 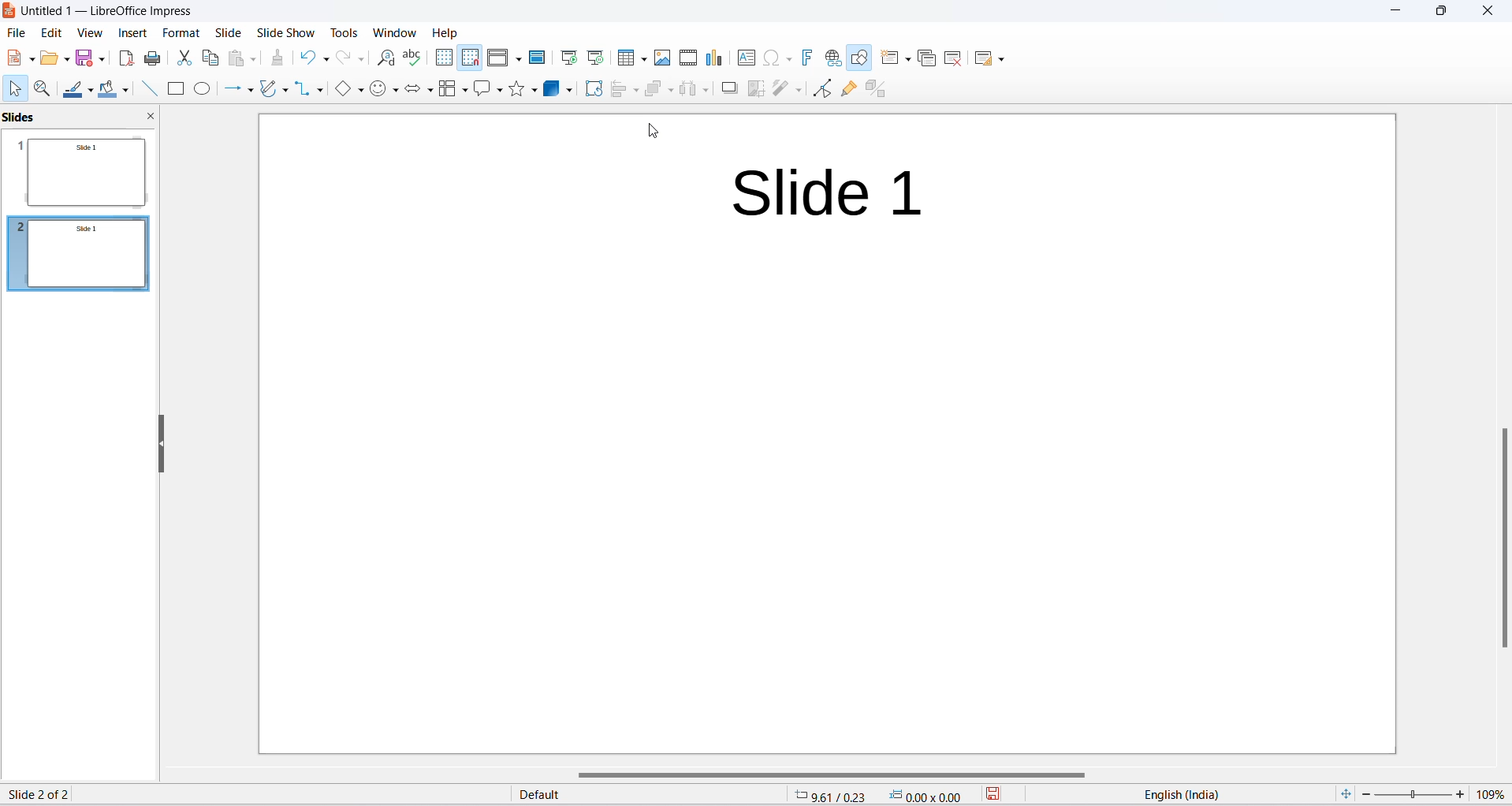 I want to click on insert table, so click(x=630, y=58).